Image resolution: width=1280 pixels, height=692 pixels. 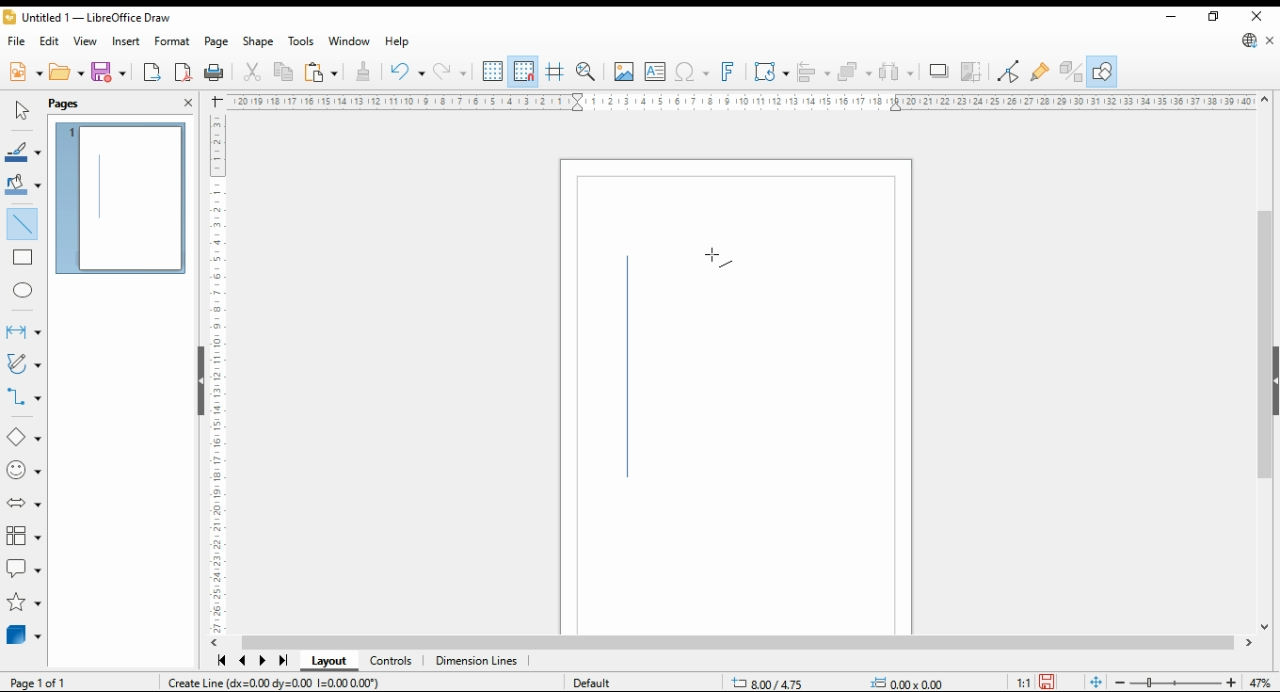 I want to click on tools, so click(x=301, y=40).